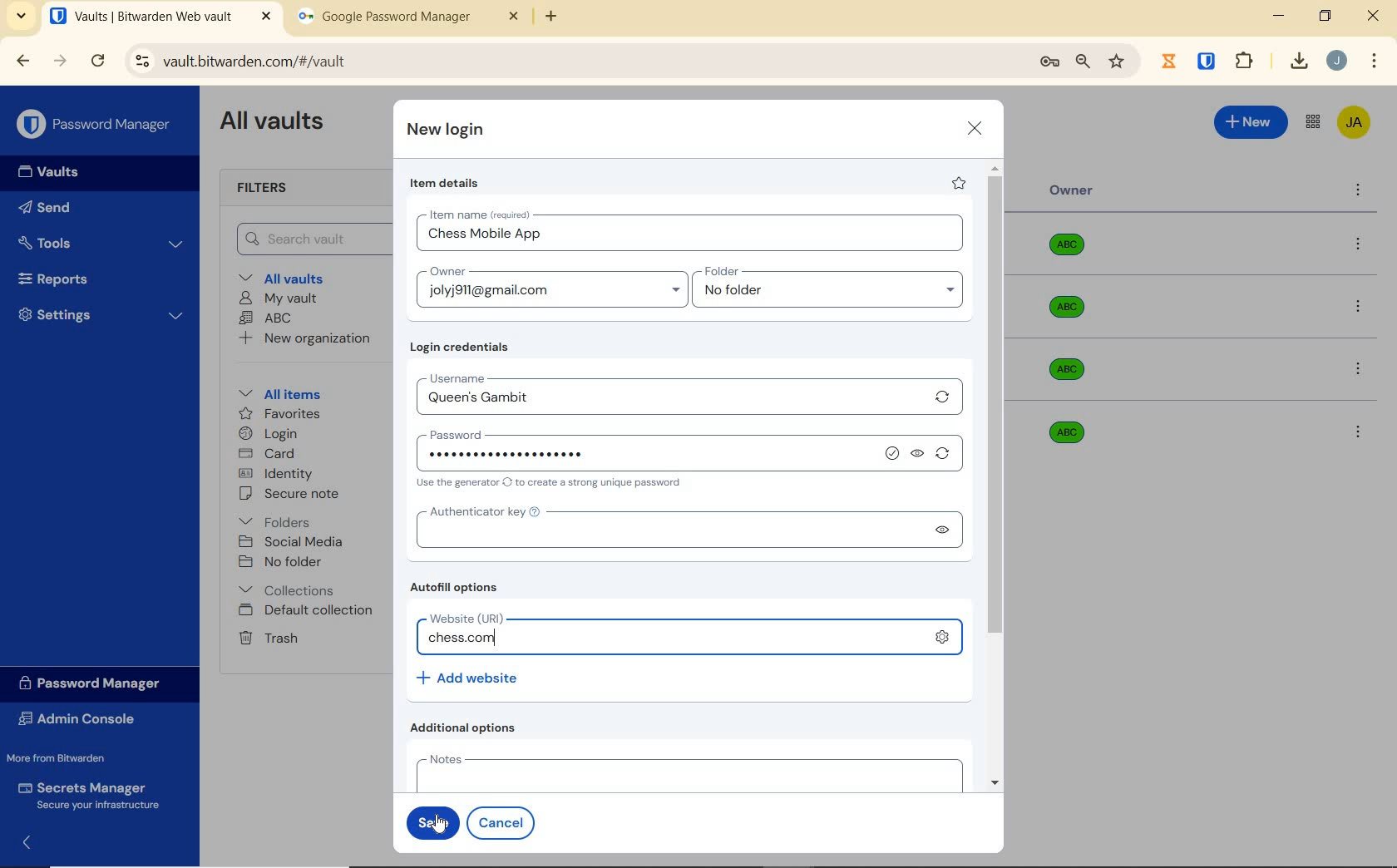 This screenshot has width=1397, height=868. I want to click on link, so click(942, 635).